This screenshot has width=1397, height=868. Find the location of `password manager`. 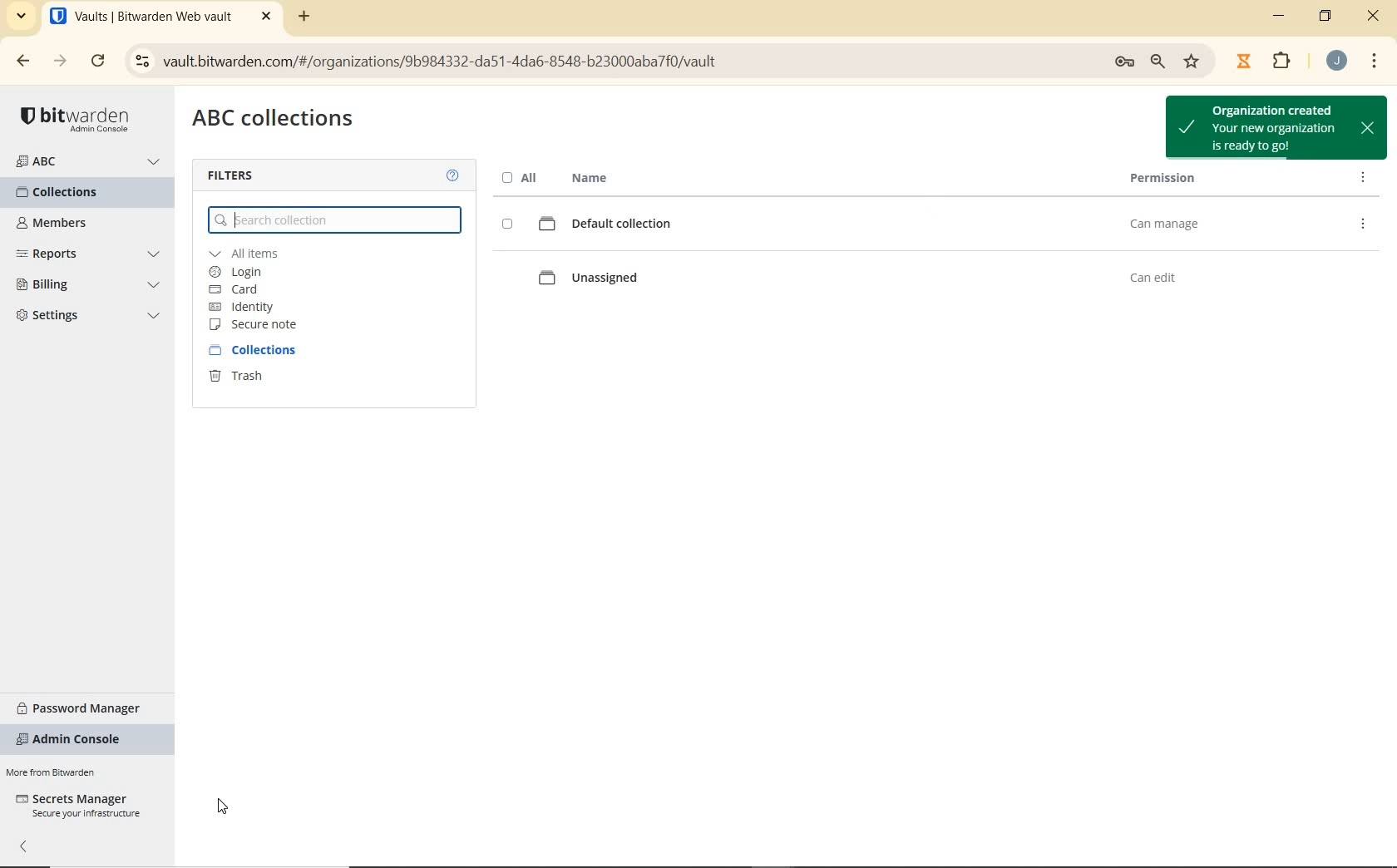

password manager is located at coordinates (93, 709).